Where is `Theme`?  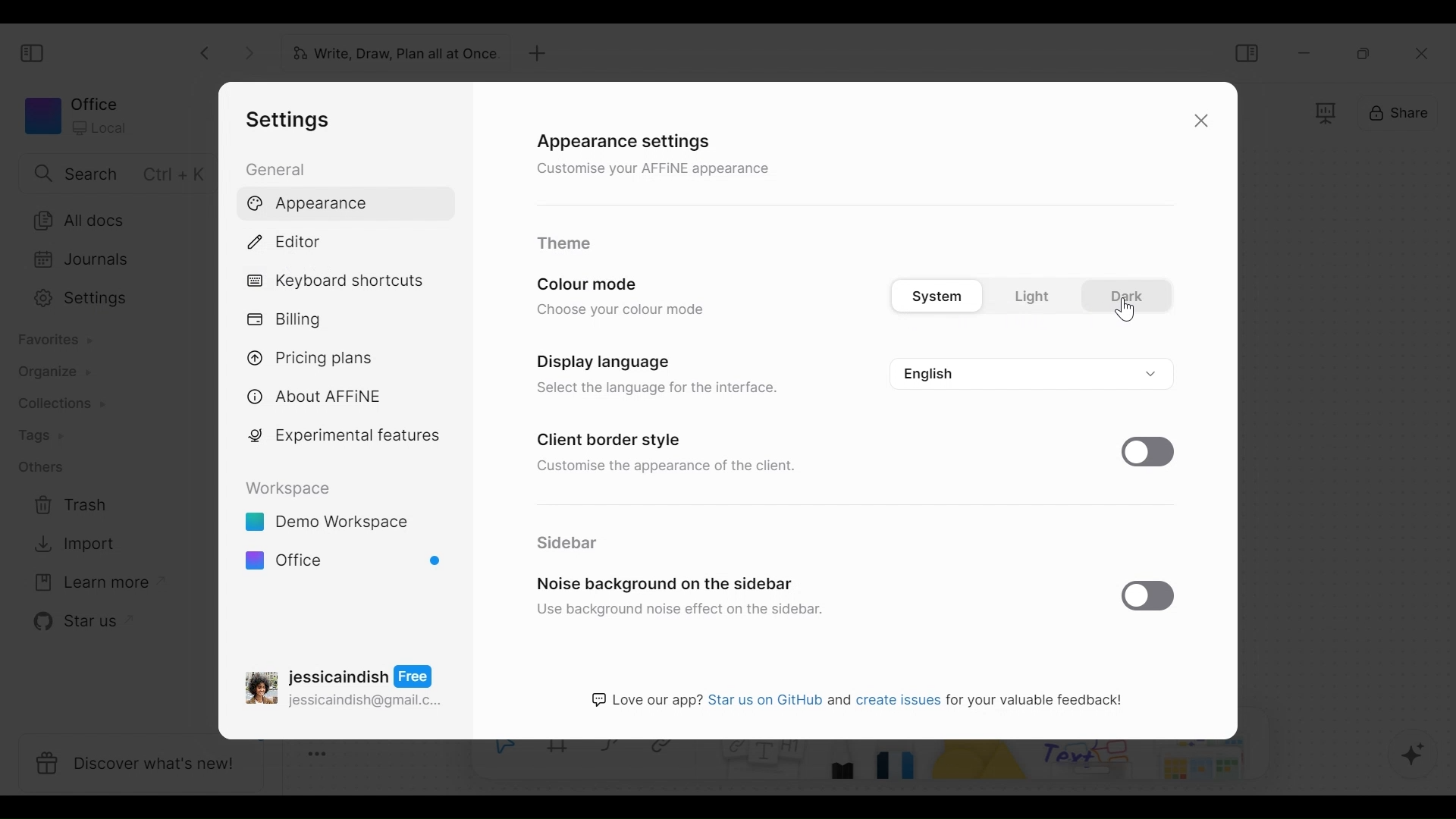 Theme is located at coordinates (570, 244).